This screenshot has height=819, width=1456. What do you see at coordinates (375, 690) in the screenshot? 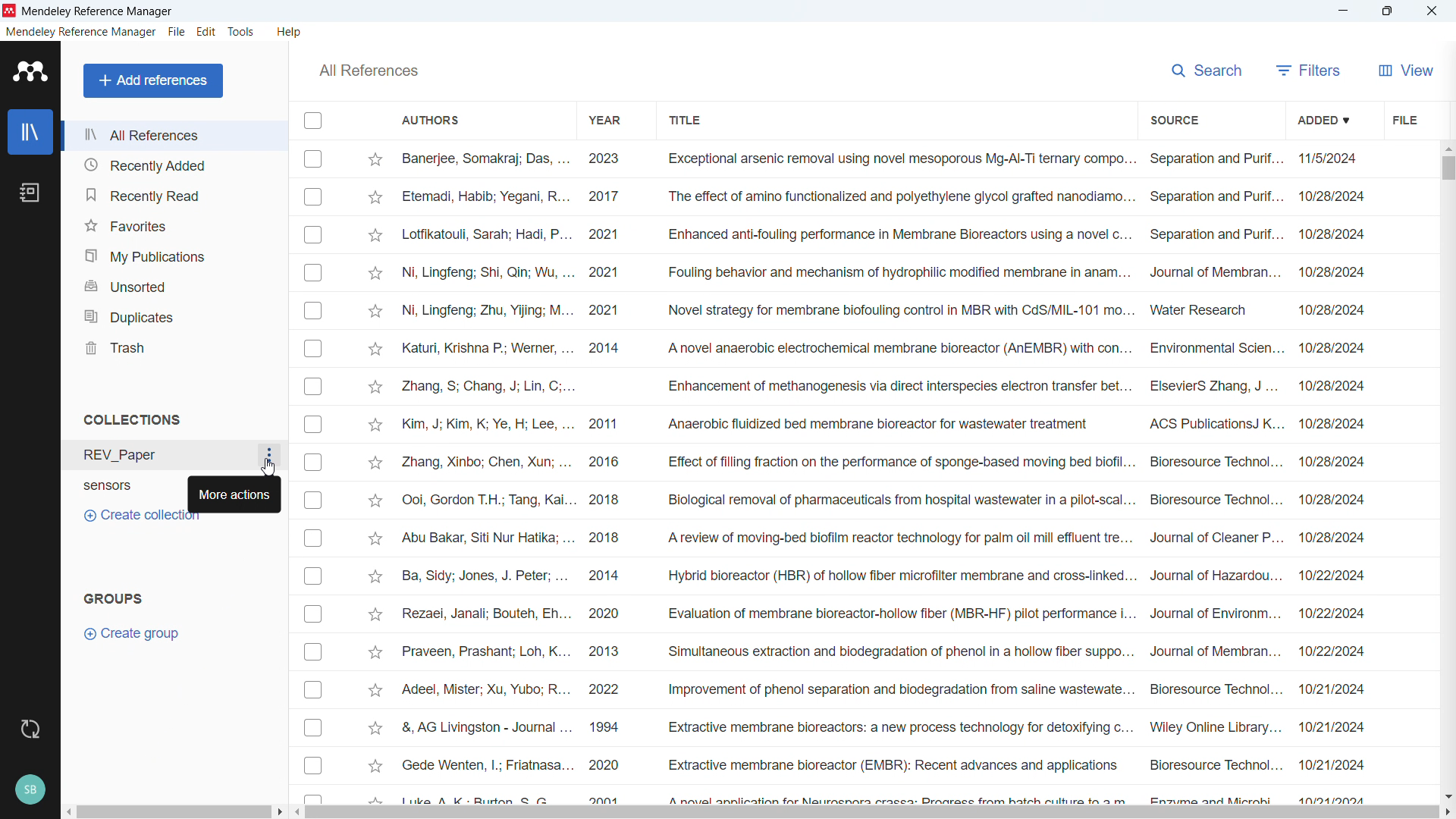
I see `Star mark respective publication` at bounding box center [375, 690].